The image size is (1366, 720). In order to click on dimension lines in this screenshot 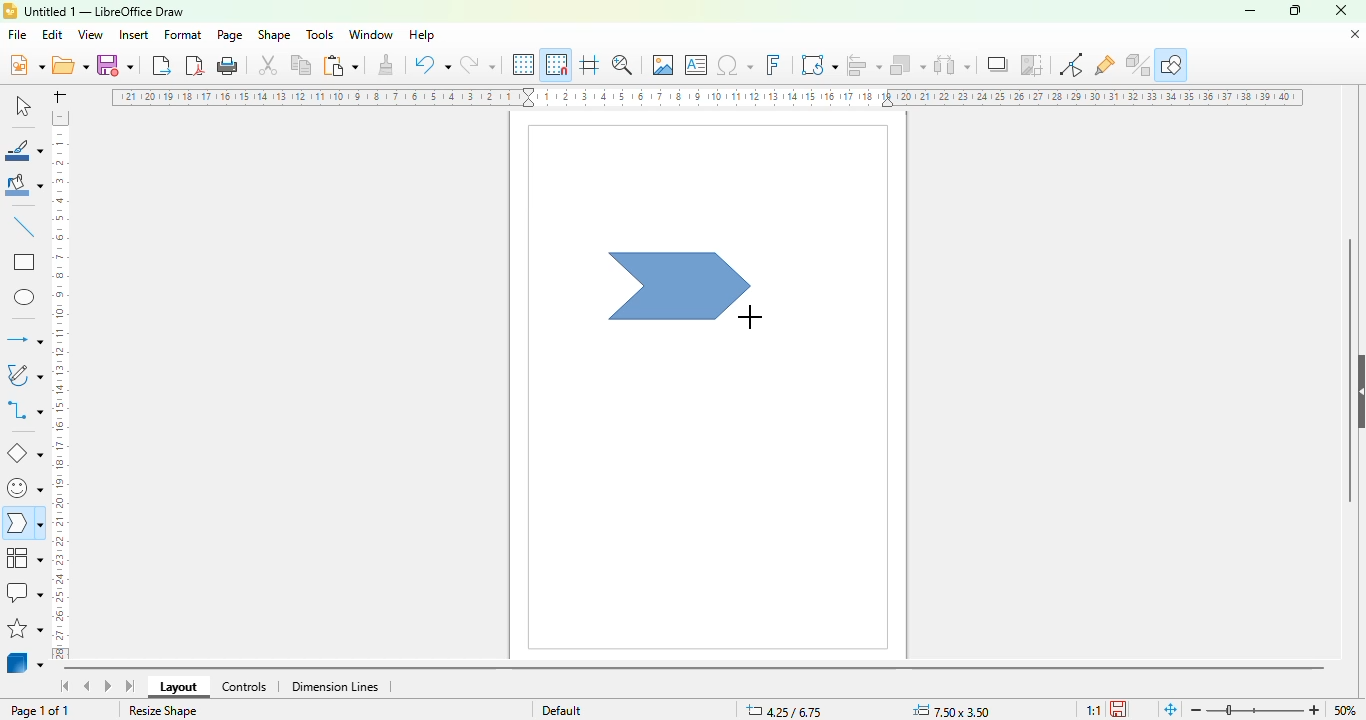, I will do `click(334, 687)`.